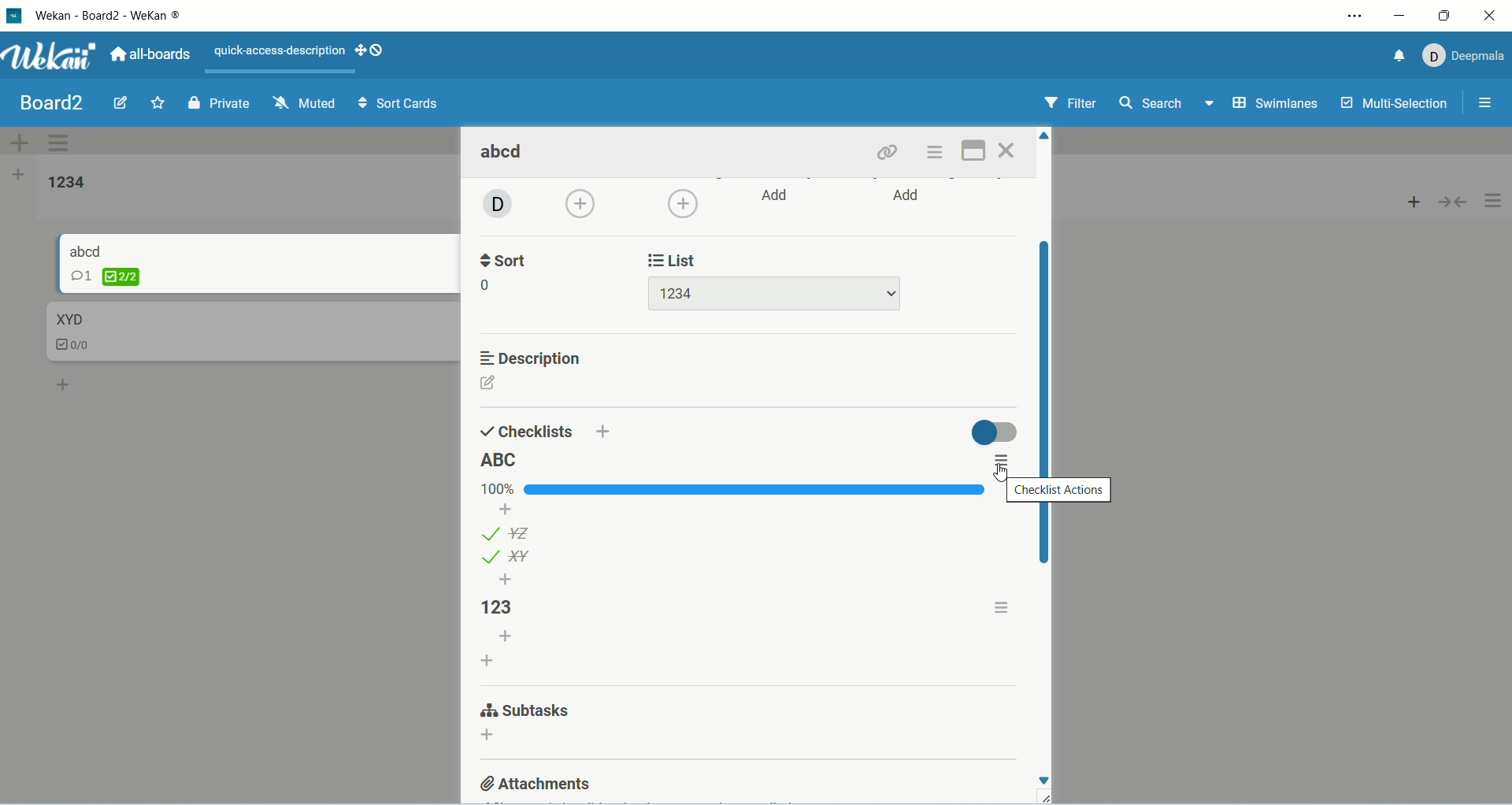  What do you see at coordinates (506, 580) in the screenshot?
I see `add` at bounding box center [506, 580].